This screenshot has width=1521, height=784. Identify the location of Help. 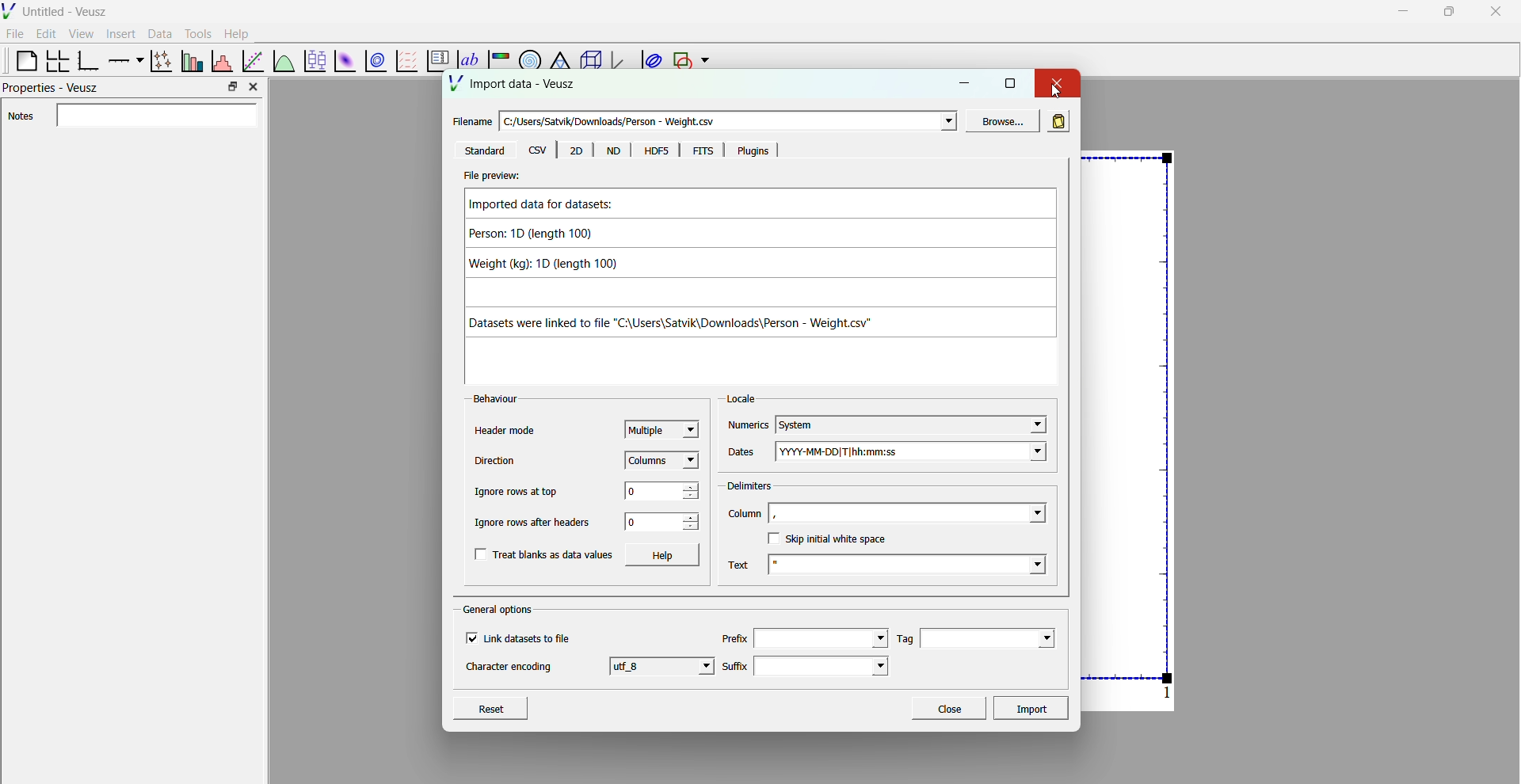
(665, 555).